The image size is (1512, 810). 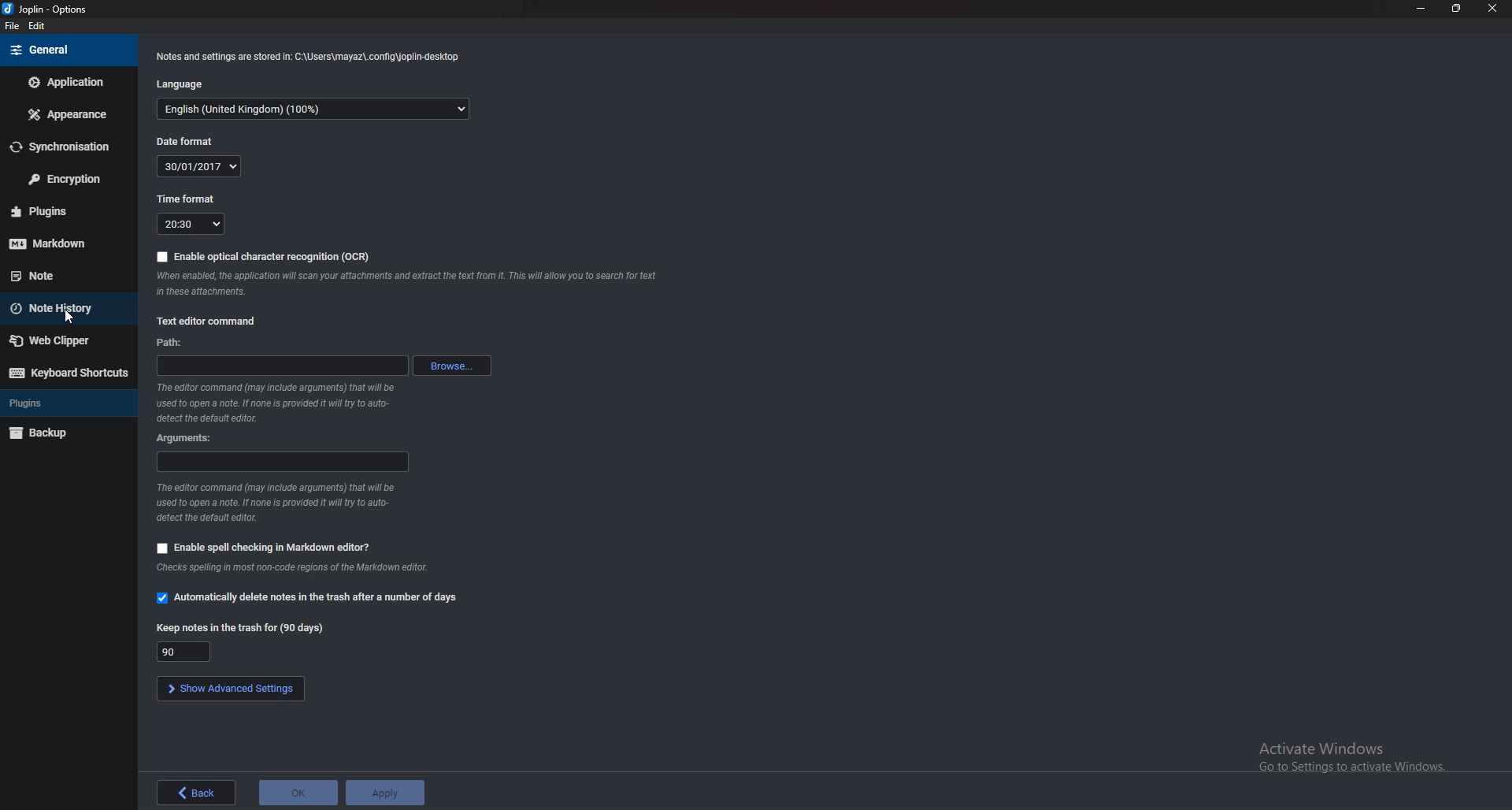 What do you see at coordinates (48, 9) in the screenshot?
I see `options` at bounding box center [48, 9].